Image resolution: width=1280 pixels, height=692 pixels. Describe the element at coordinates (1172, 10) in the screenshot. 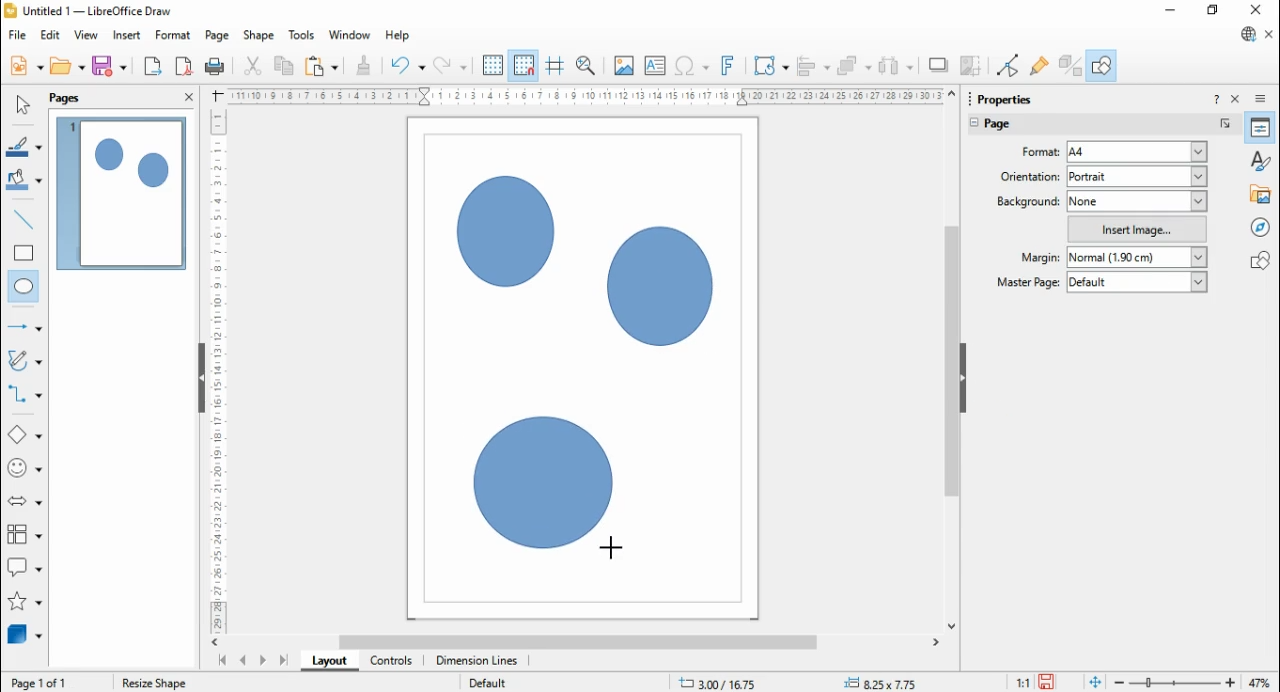

I see `minimize` at that location.